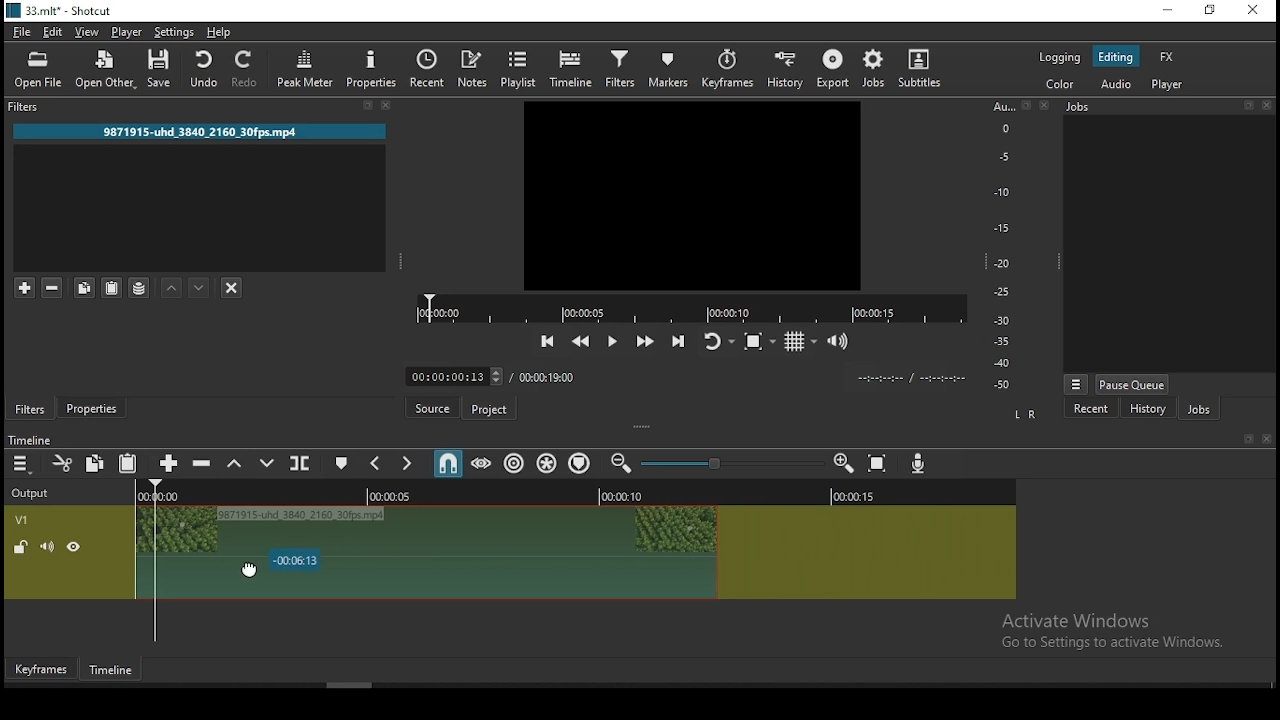  Describe the element at coordinates (1167, 57) in the screenshot. I see `fx` at that location.